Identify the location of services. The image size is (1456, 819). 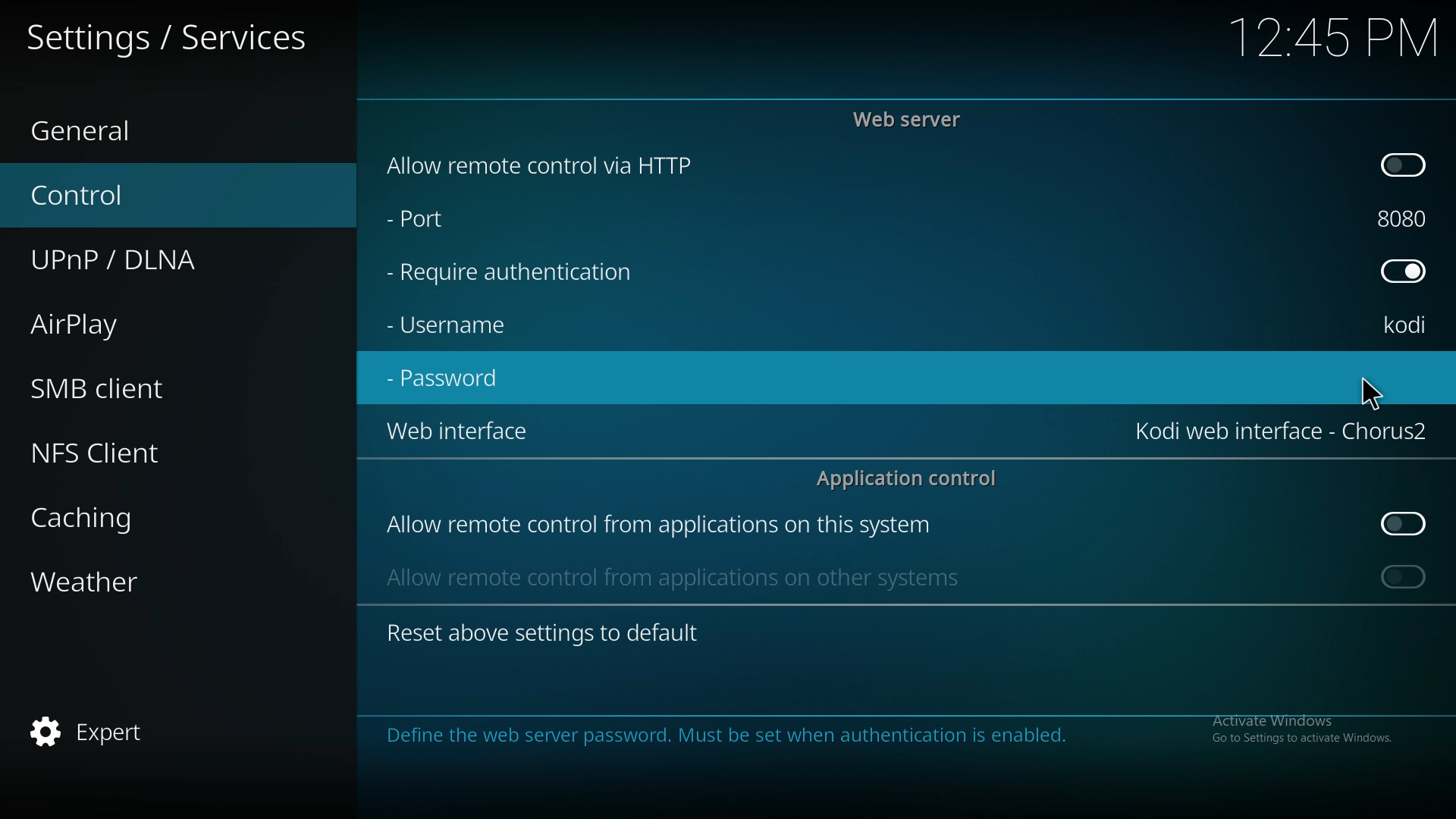
(174, 36).